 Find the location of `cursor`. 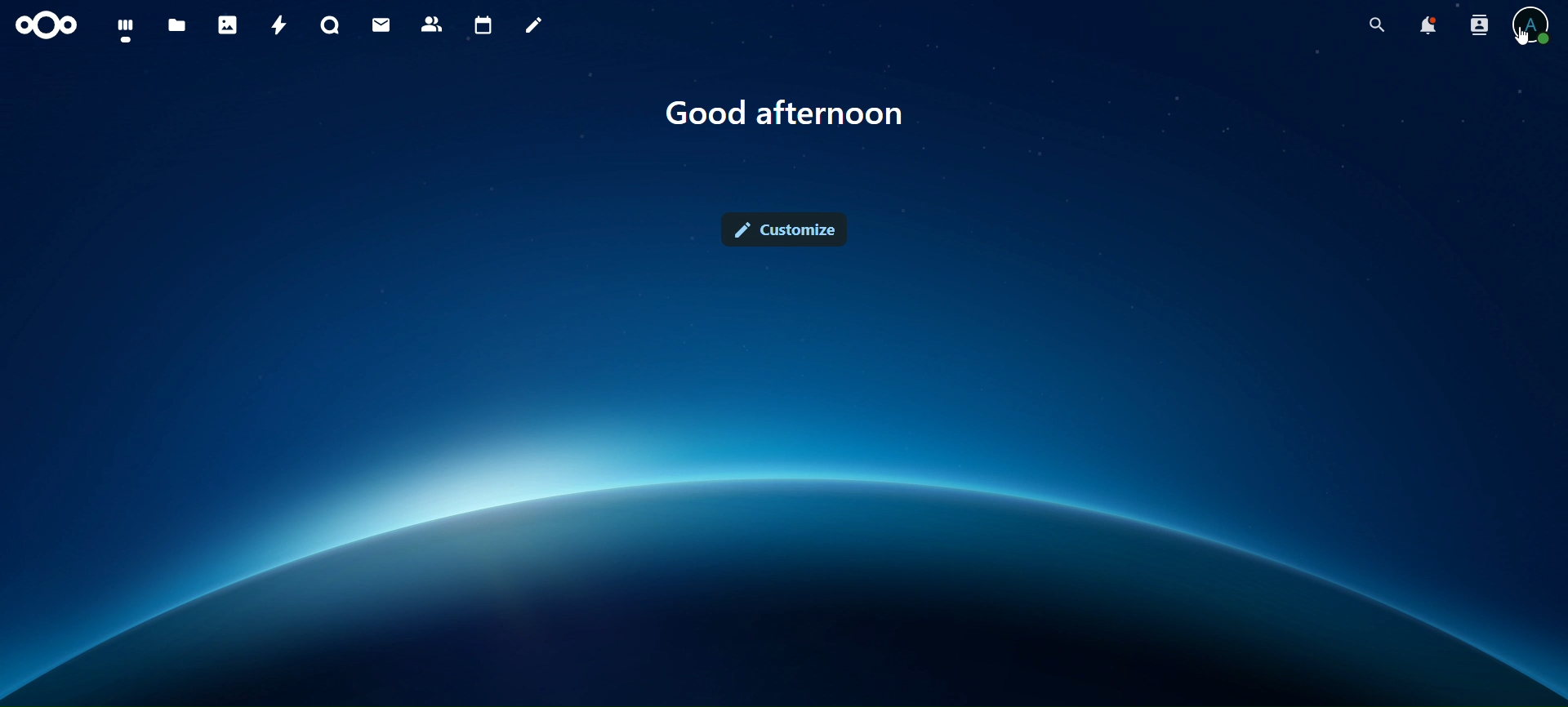

cursor is located at coordinates (1524, 38).